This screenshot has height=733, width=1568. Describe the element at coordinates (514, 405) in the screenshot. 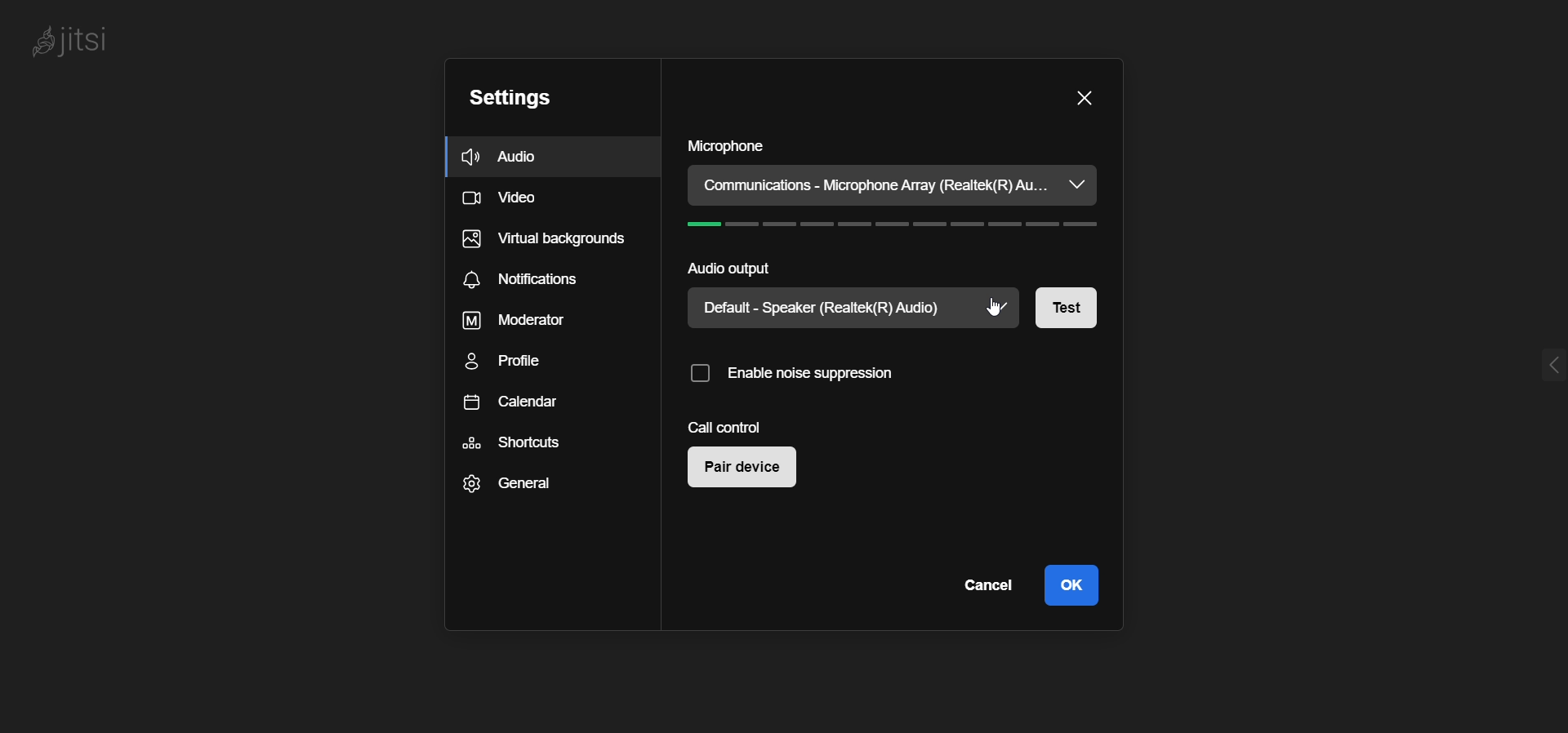

I see `calendar` at that location.